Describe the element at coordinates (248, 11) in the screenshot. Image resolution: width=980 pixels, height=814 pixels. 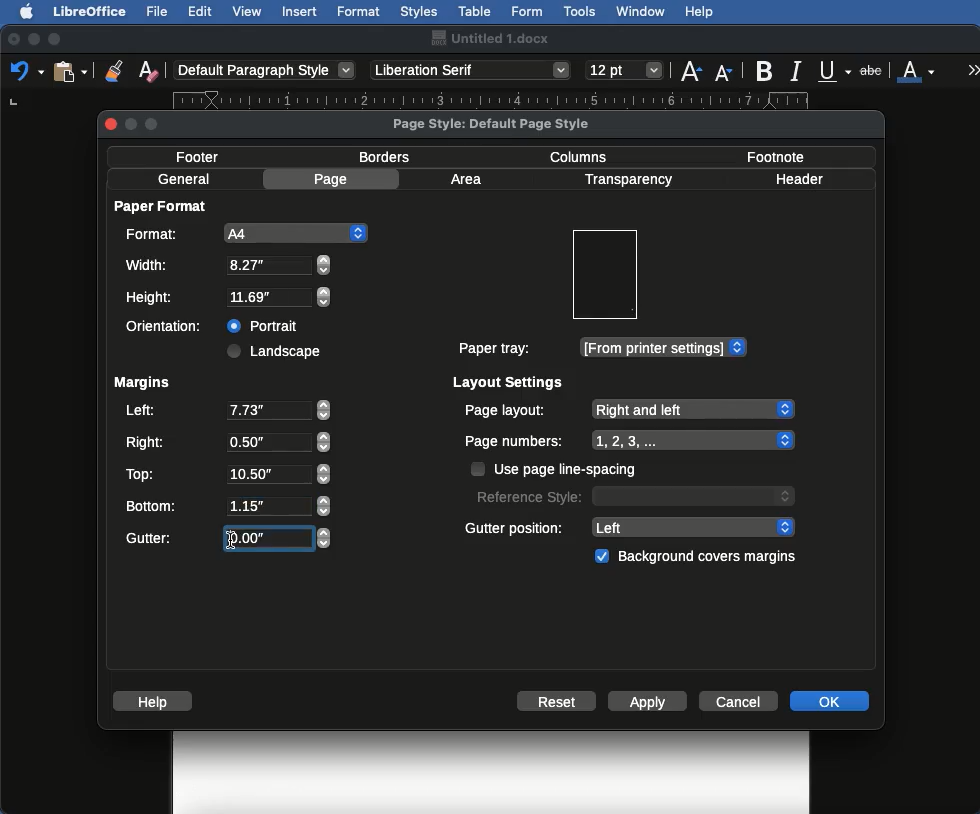
I see `View` at that location.